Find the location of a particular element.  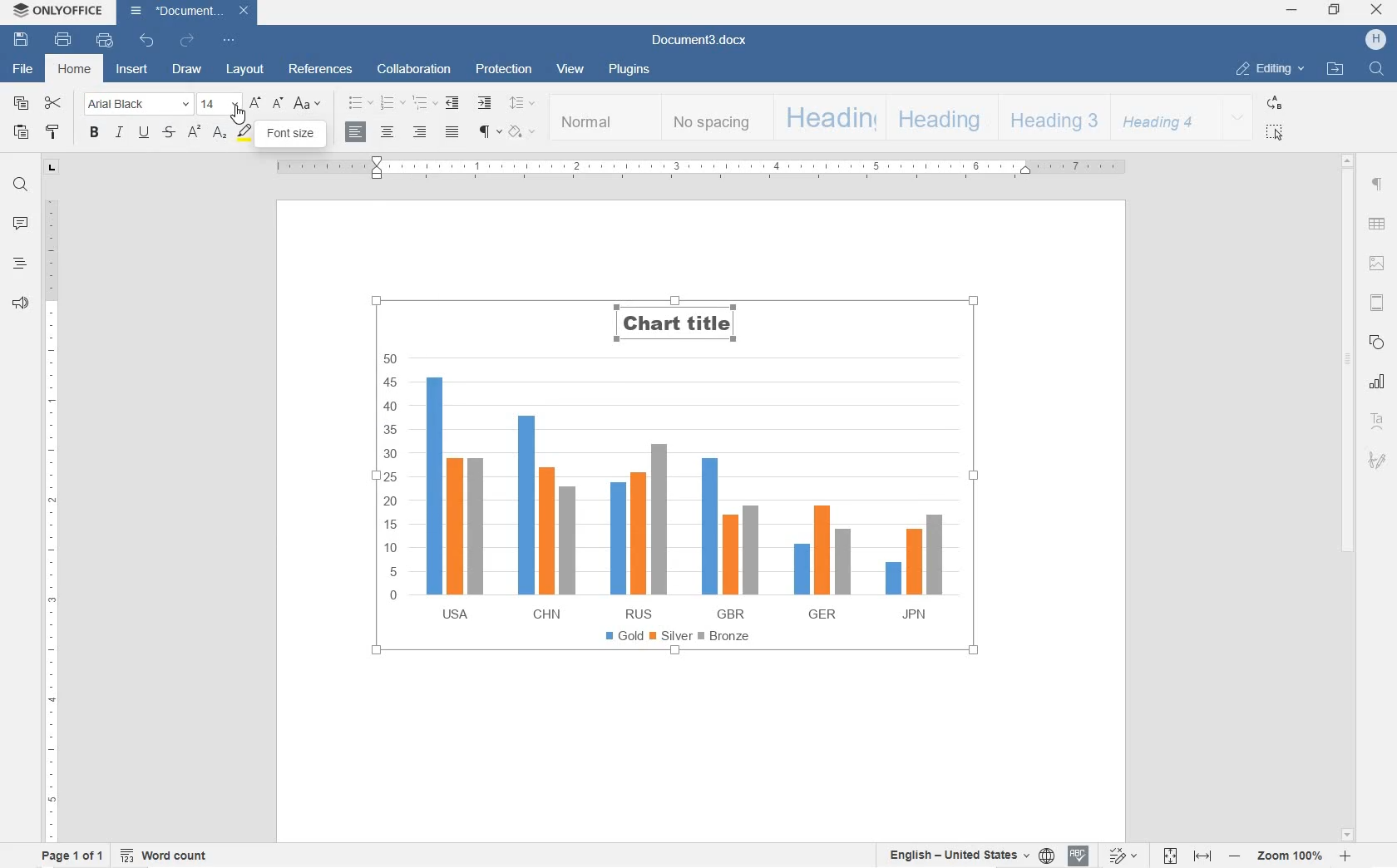

HP is located at coordinates (1375, 39).